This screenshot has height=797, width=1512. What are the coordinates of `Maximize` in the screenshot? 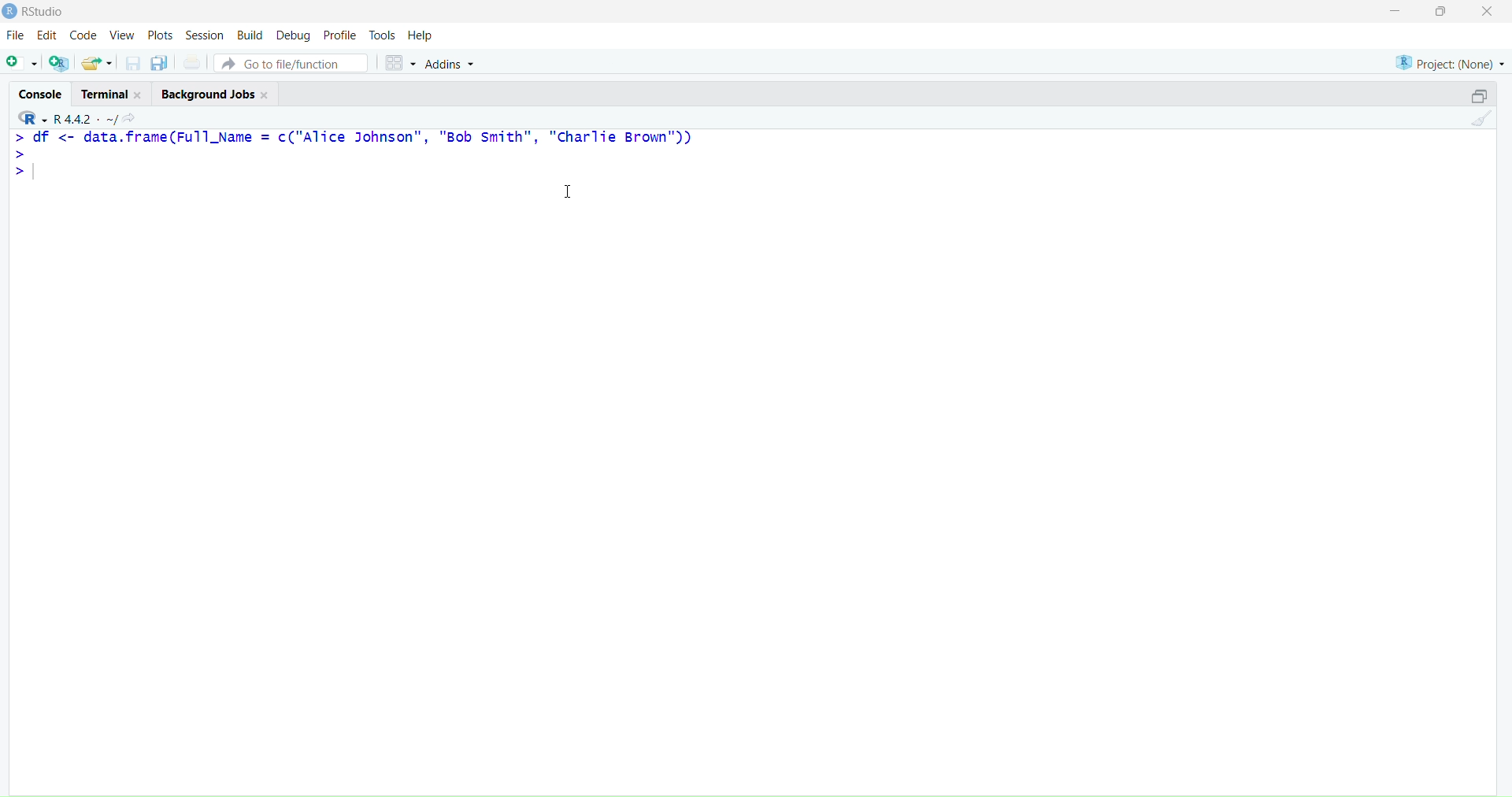 It's located at (1441, 14).